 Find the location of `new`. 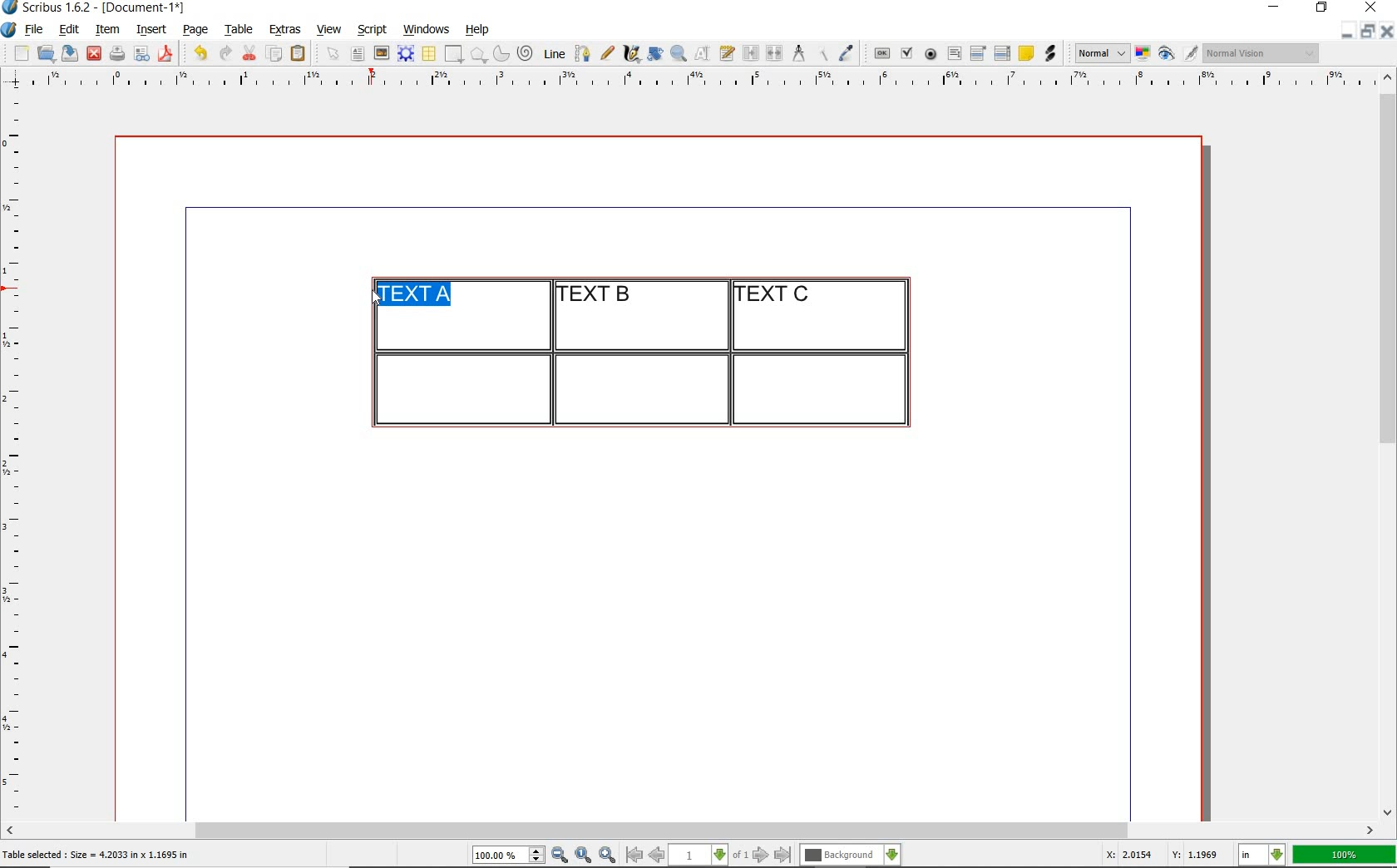

new is located at coordinates (19, 53).